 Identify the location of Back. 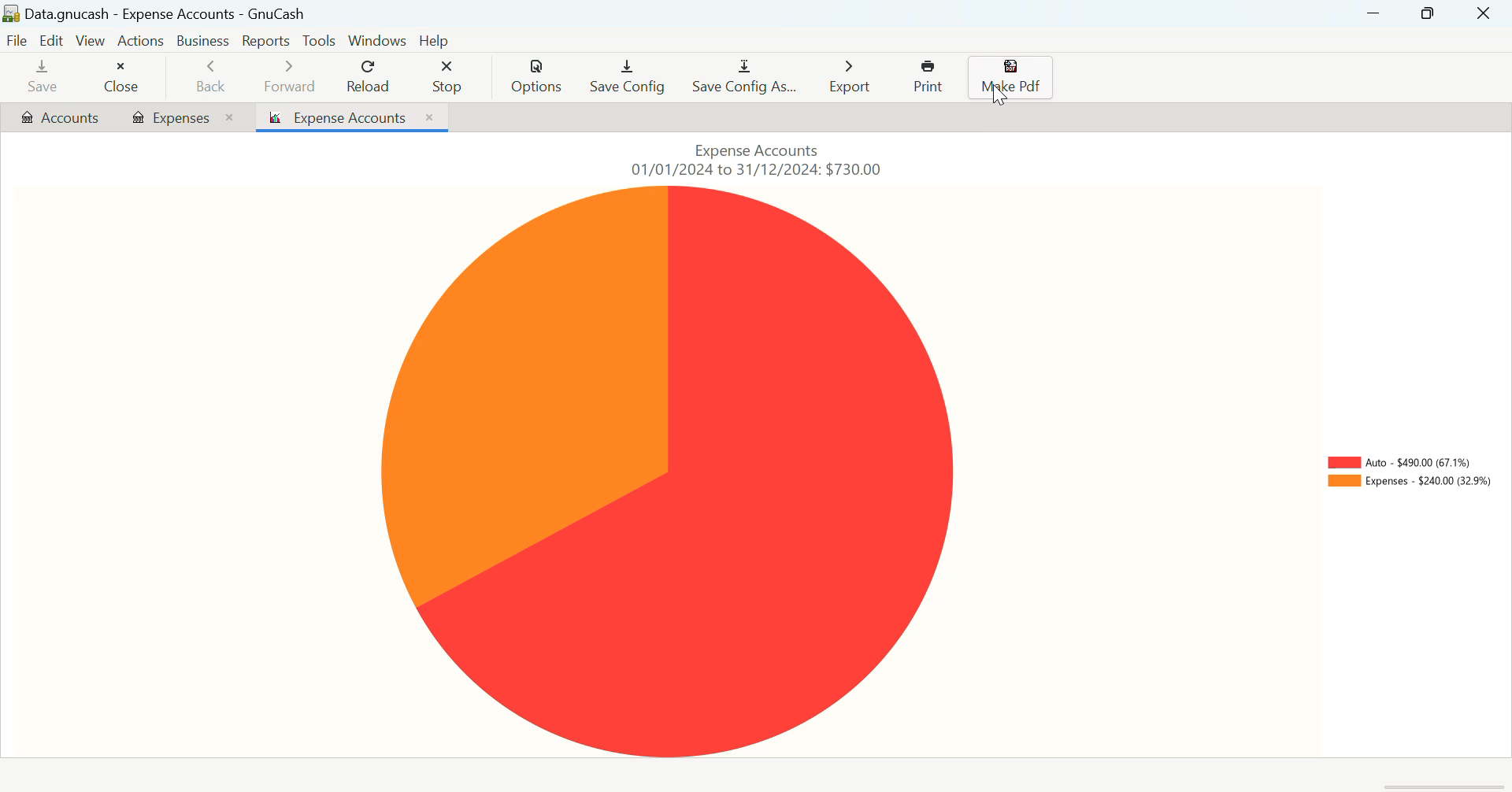
(212, 78).